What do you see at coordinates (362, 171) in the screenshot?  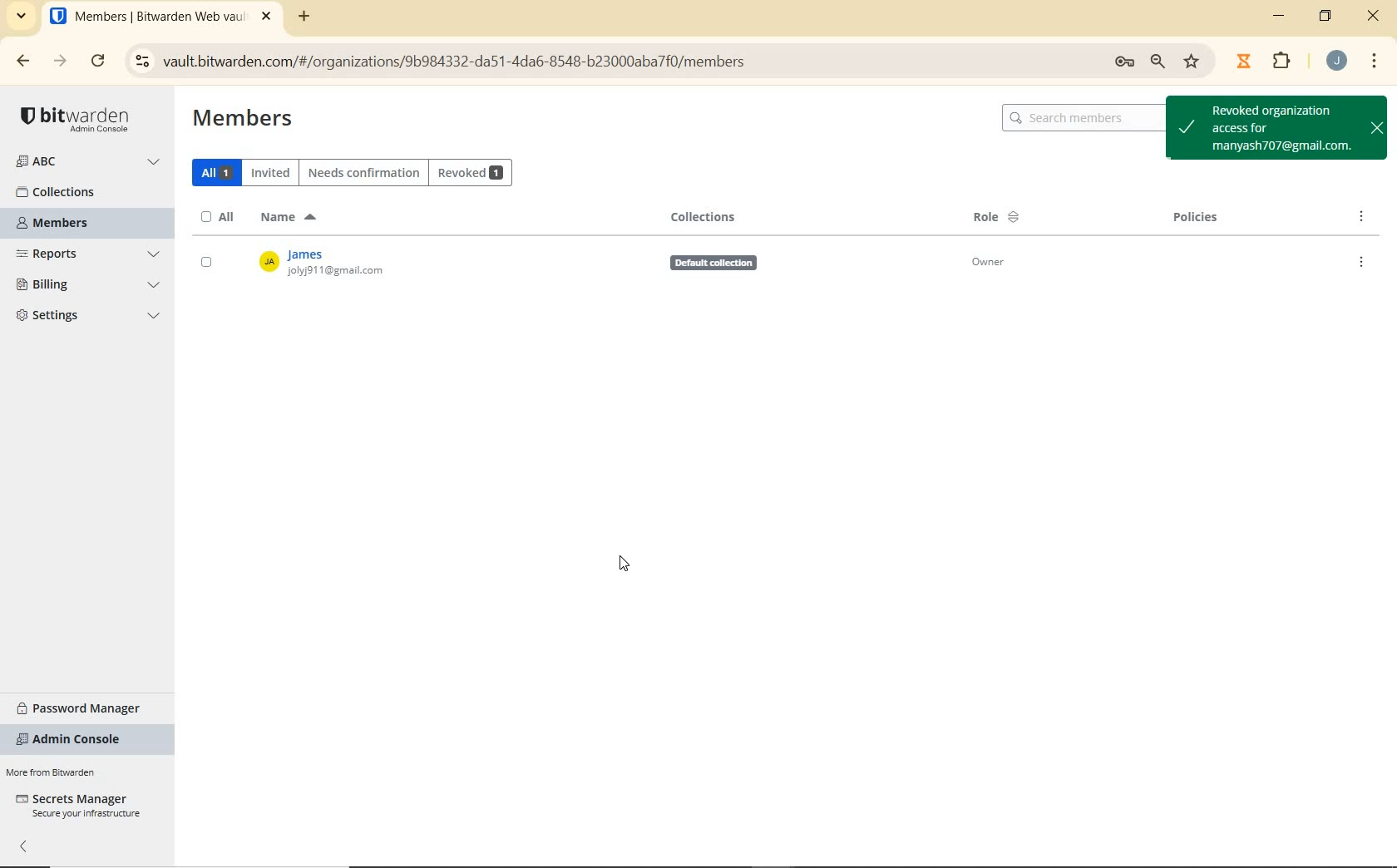 I see `NEEDS CONFIRMATION` at bounding box center [362, 171].